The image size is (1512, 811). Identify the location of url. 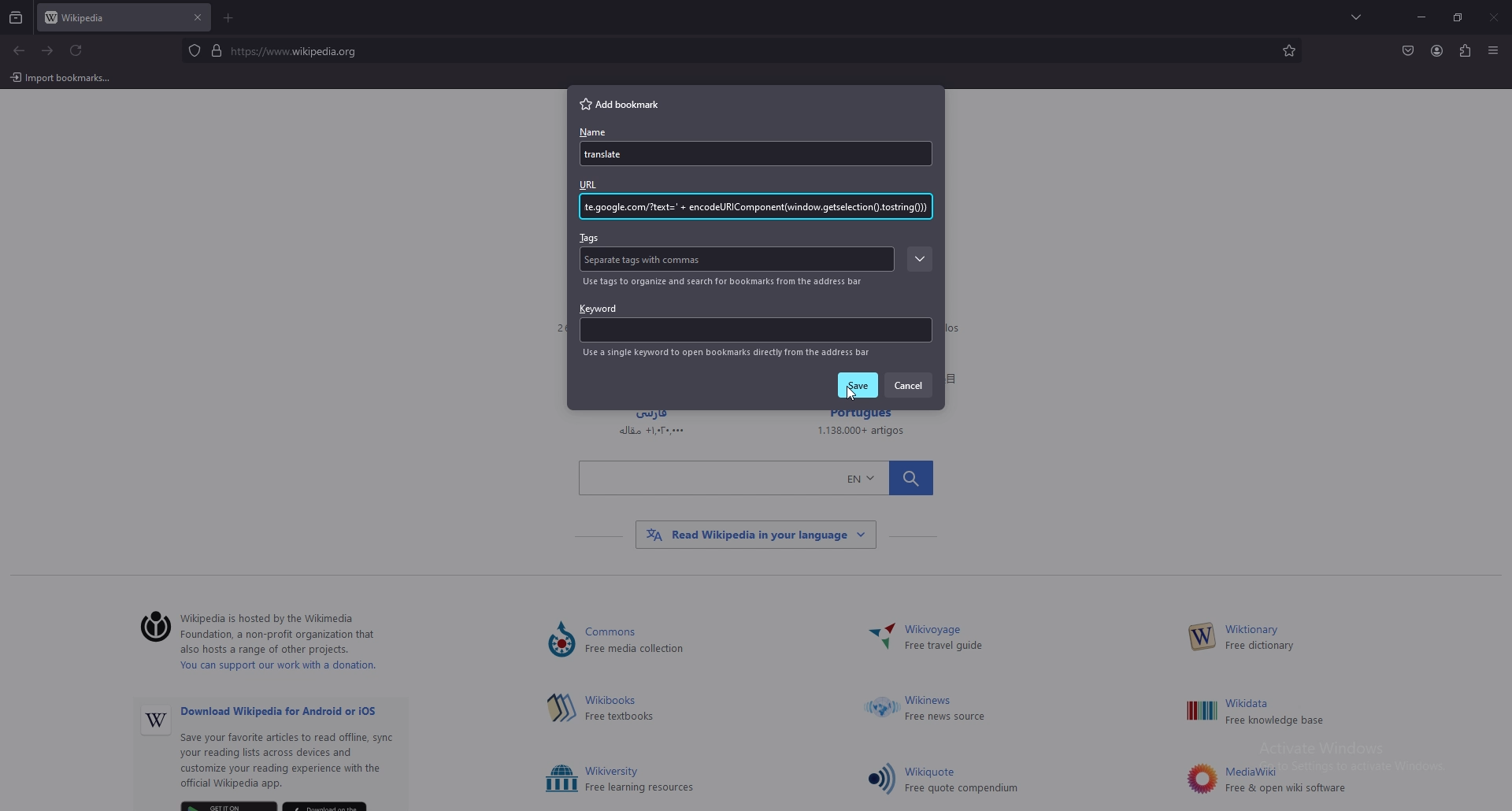
(759, 208).